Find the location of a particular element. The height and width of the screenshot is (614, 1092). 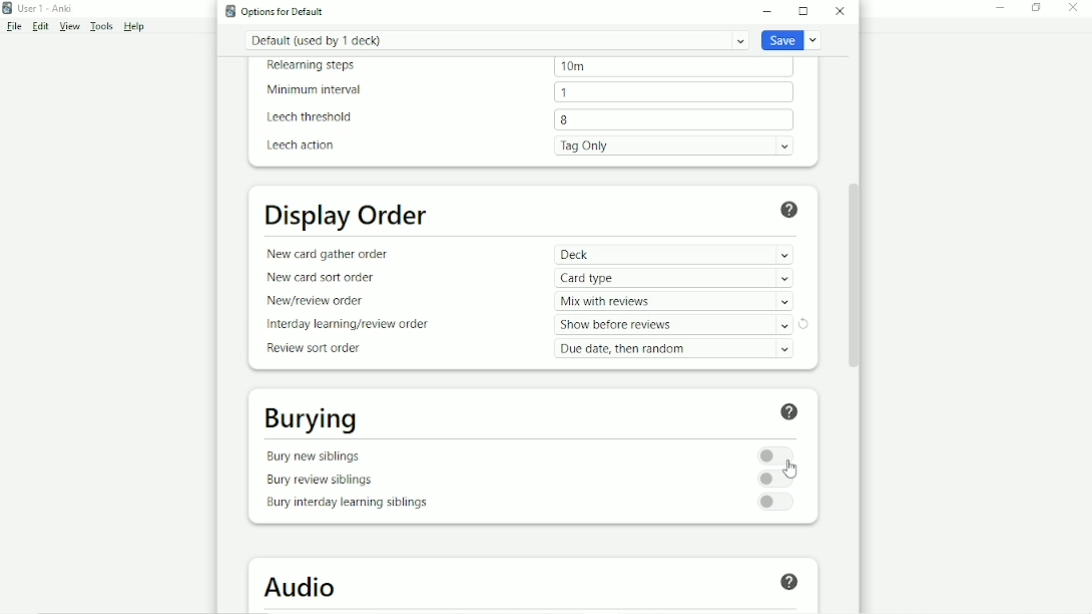

Show before reviews is located at coordinates (673, 325).